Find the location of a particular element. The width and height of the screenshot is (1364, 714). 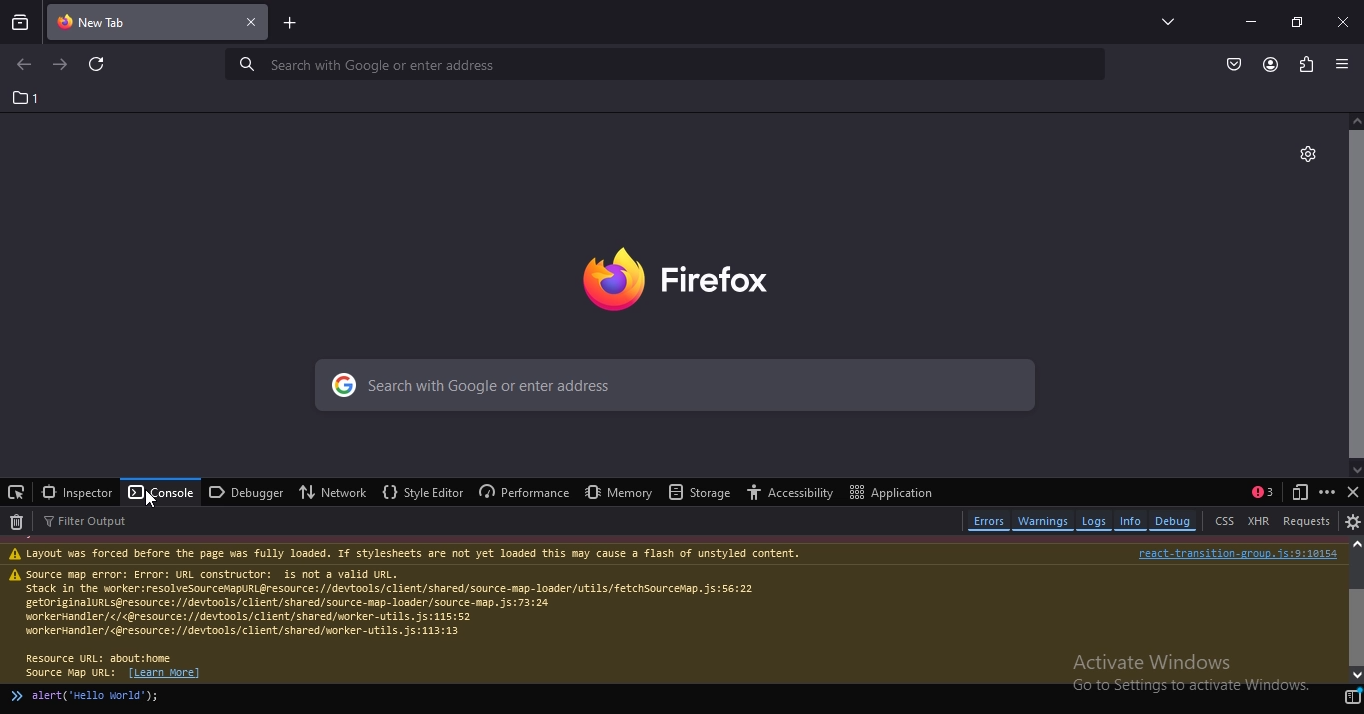

performance is located at coordinates (524, 490).